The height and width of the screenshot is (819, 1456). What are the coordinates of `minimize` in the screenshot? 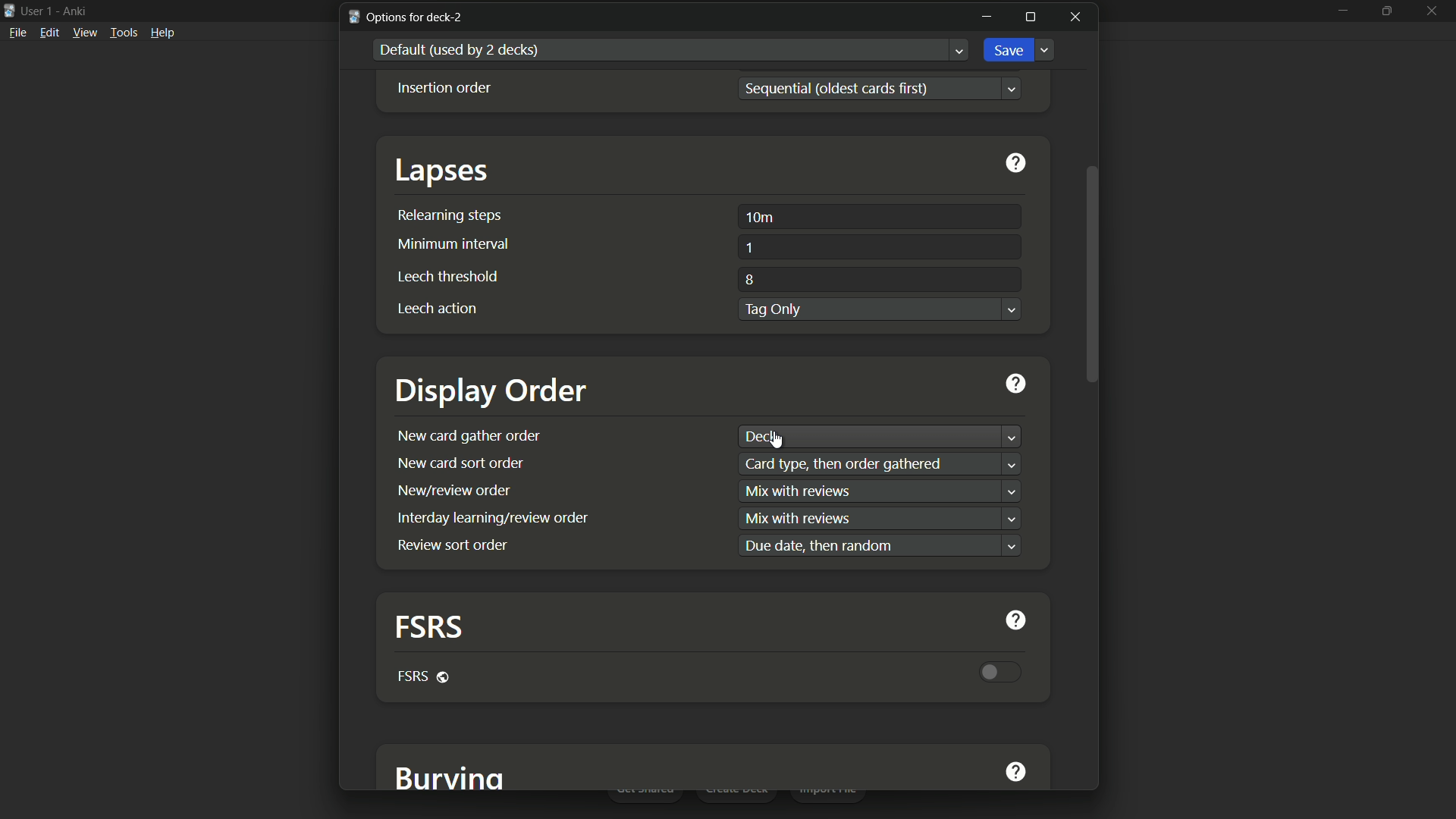 It's located at (986, 16).